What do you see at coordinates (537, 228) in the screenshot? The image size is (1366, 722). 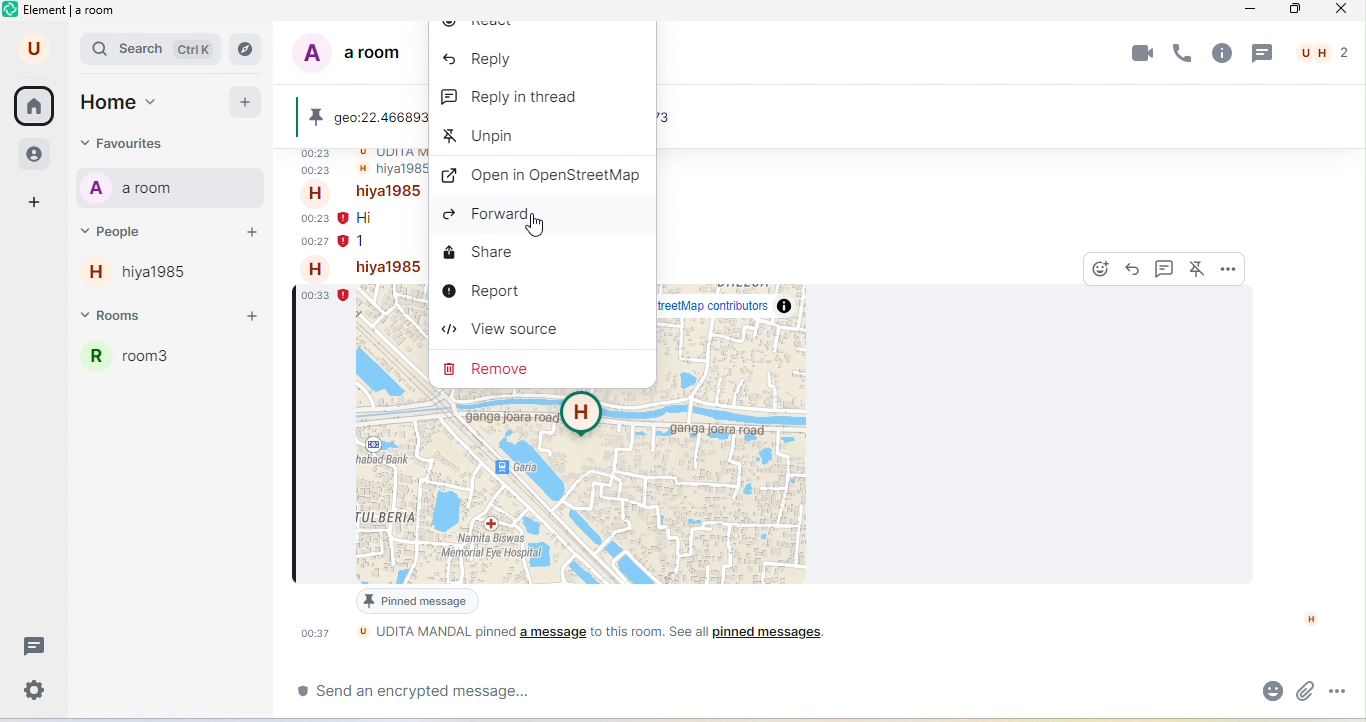 I see `cursor movement` at bounding box center [537, 228].